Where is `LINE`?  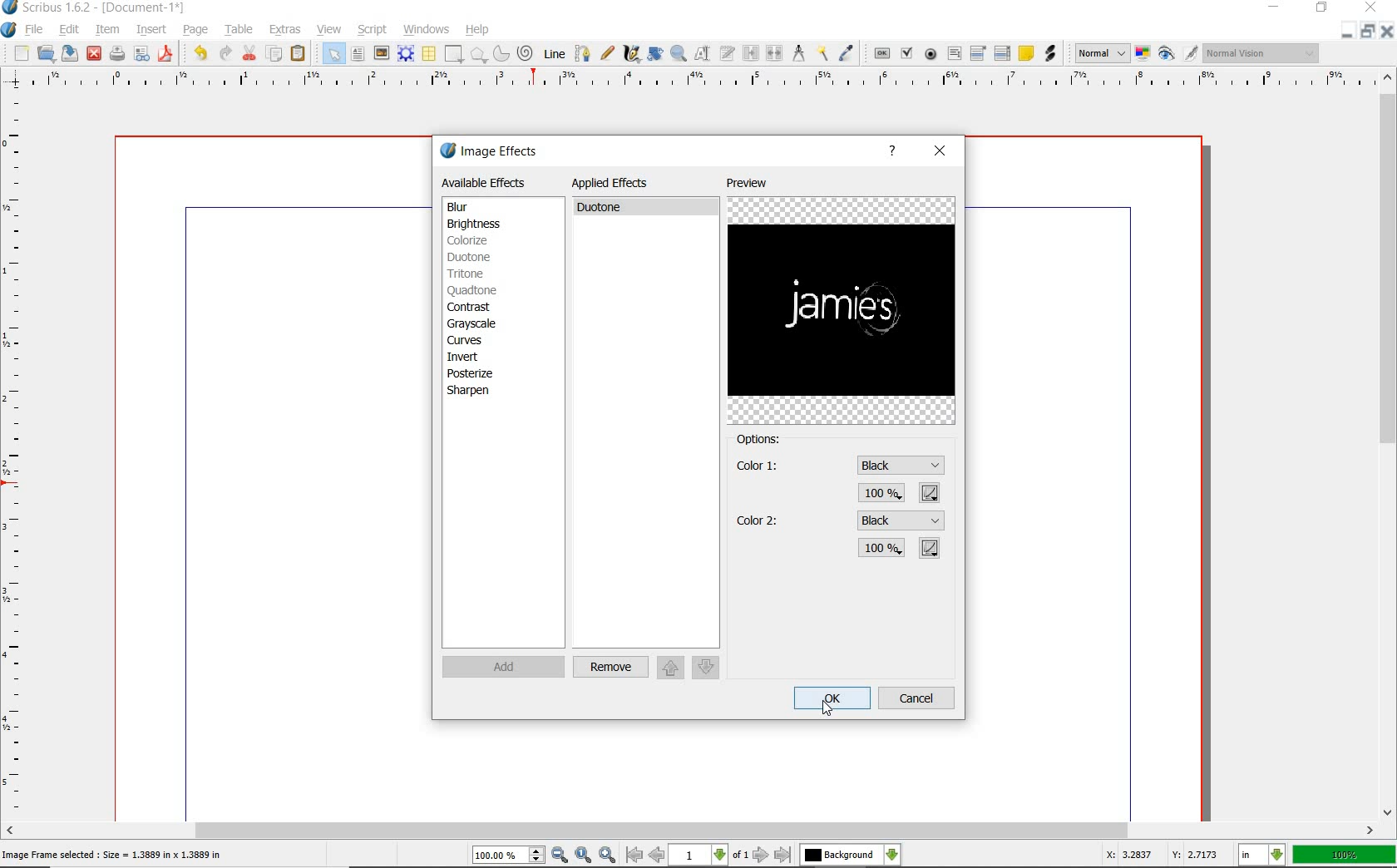 LINE is located at coordinates (555, 55).